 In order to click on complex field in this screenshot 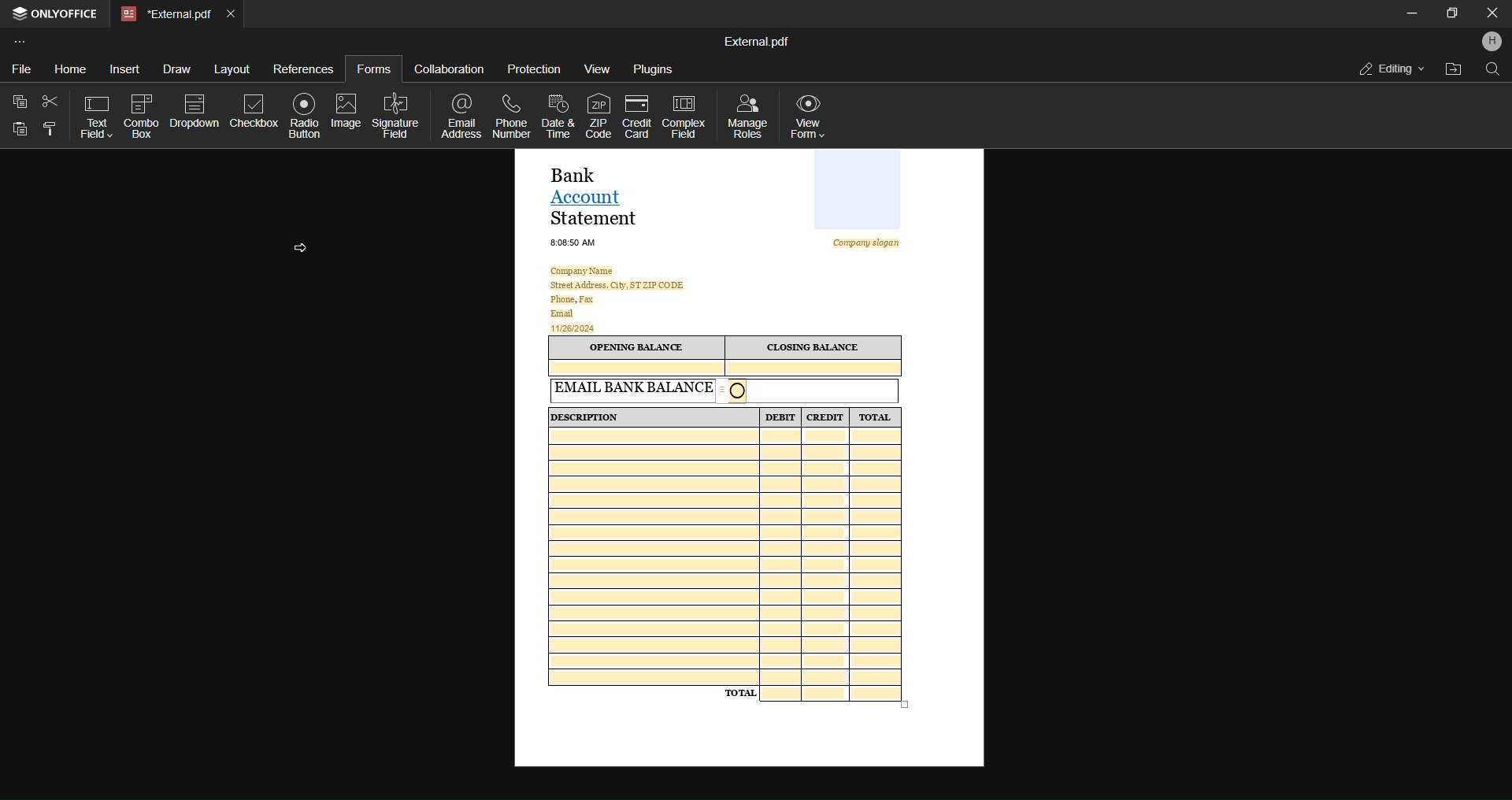, I will do `click(681, 118)`.